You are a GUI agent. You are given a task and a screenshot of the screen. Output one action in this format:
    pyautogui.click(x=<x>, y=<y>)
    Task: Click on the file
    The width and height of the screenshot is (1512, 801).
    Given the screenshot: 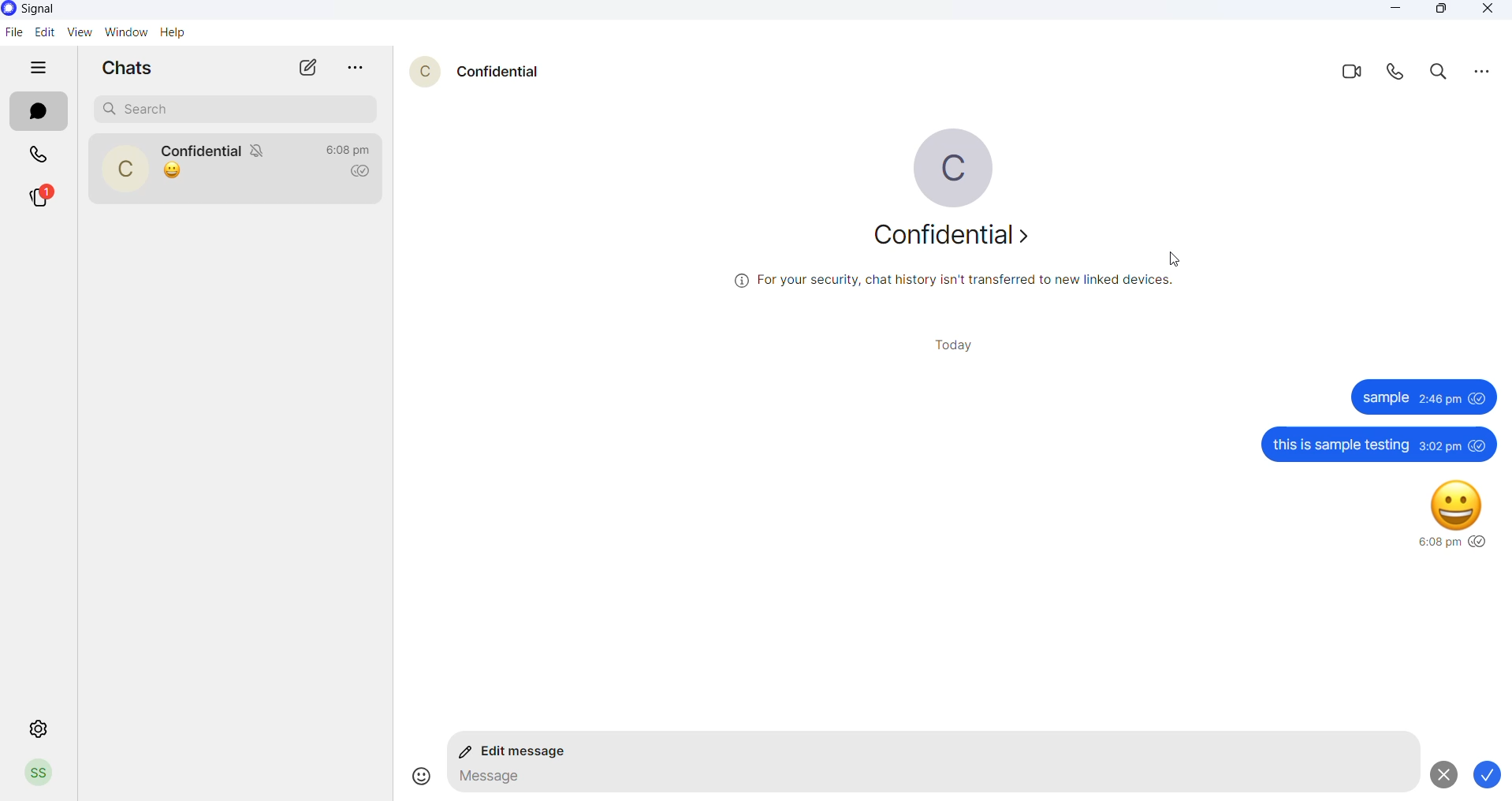 What is the action you would take?
    pyautogui.click(x=14, y=32)
    